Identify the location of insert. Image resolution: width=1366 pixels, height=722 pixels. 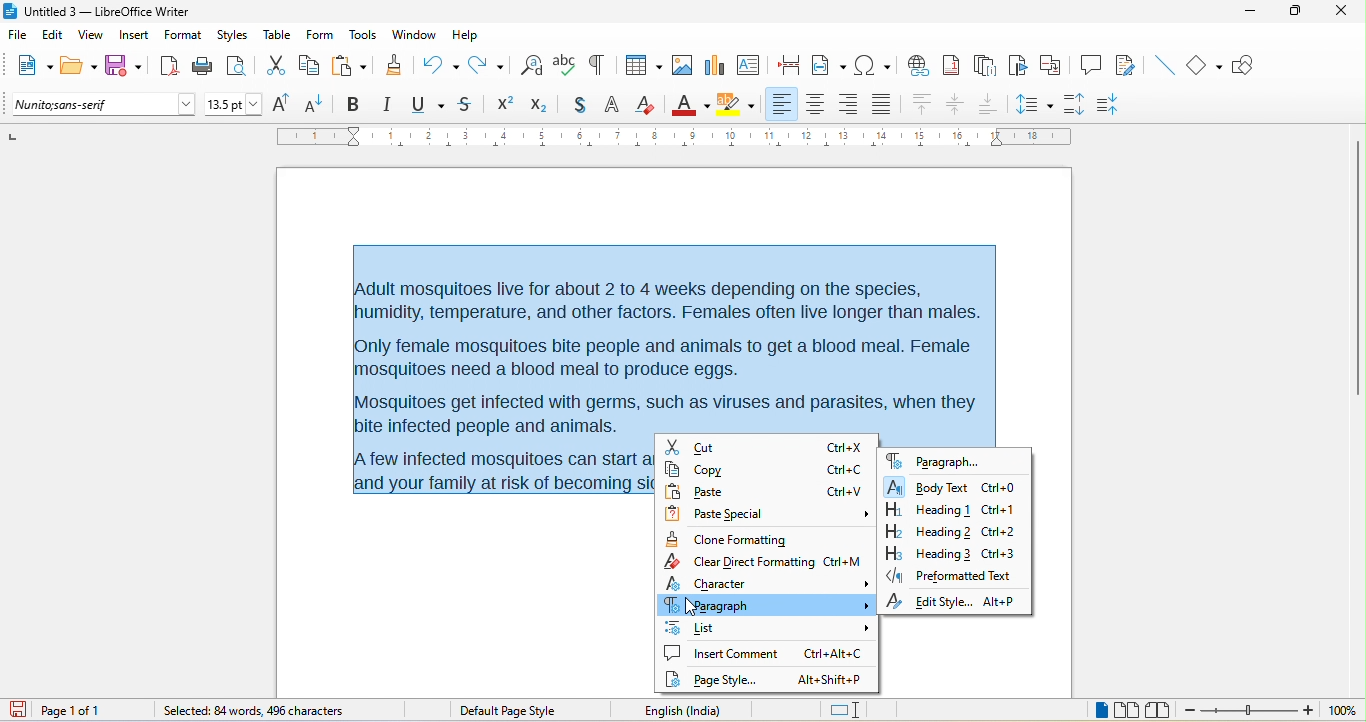
(134, 37).